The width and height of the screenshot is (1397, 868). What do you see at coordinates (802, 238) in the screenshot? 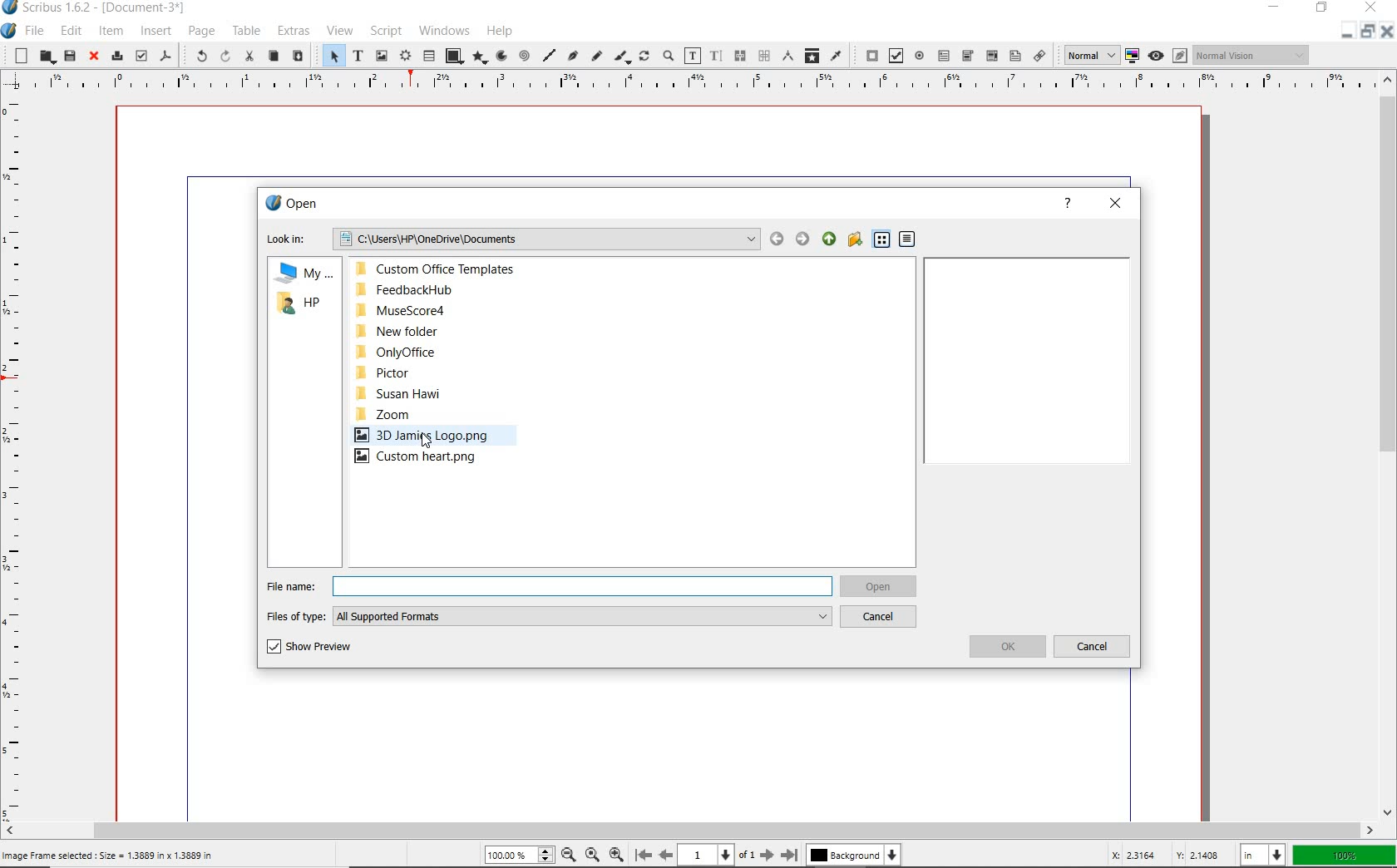
I see `MOVE BACK/ FORWARD/UP` at bounding box center [802, 238].